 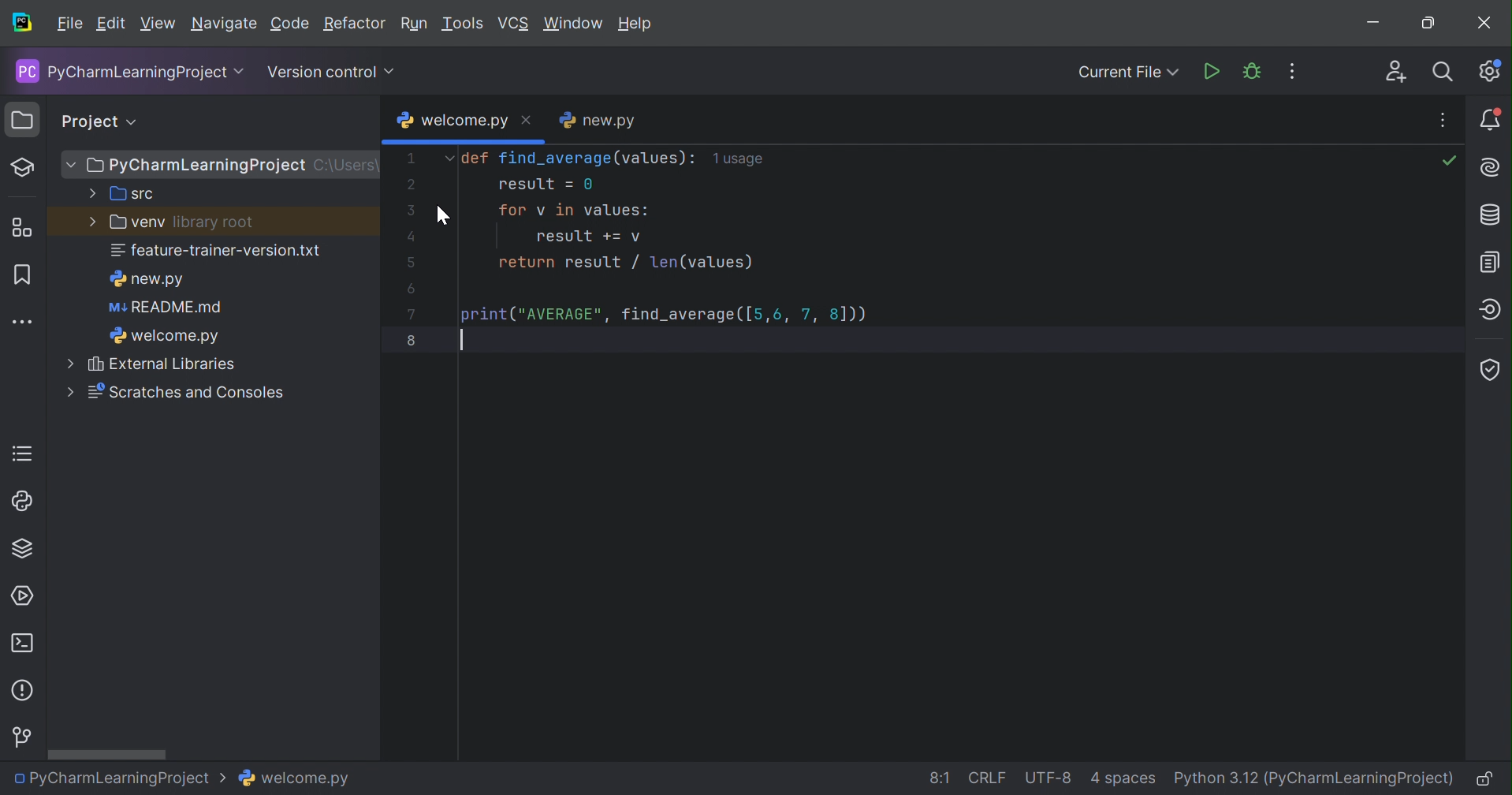 I want to click on Code With Me, so click(x=1396, y=73).